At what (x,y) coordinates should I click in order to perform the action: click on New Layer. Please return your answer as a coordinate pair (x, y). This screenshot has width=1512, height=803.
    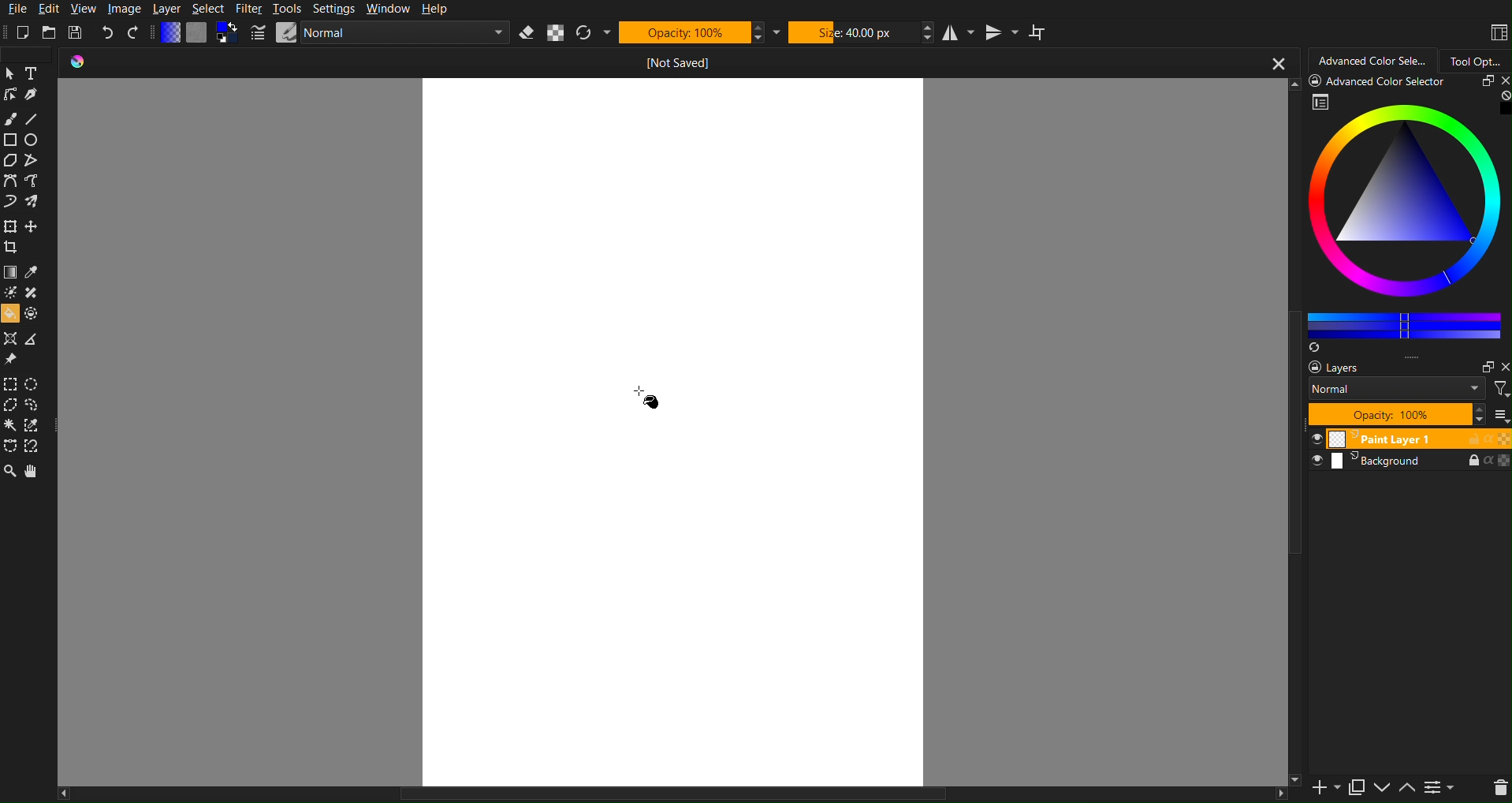
    Looking at the image, I should click on (1316, 785).